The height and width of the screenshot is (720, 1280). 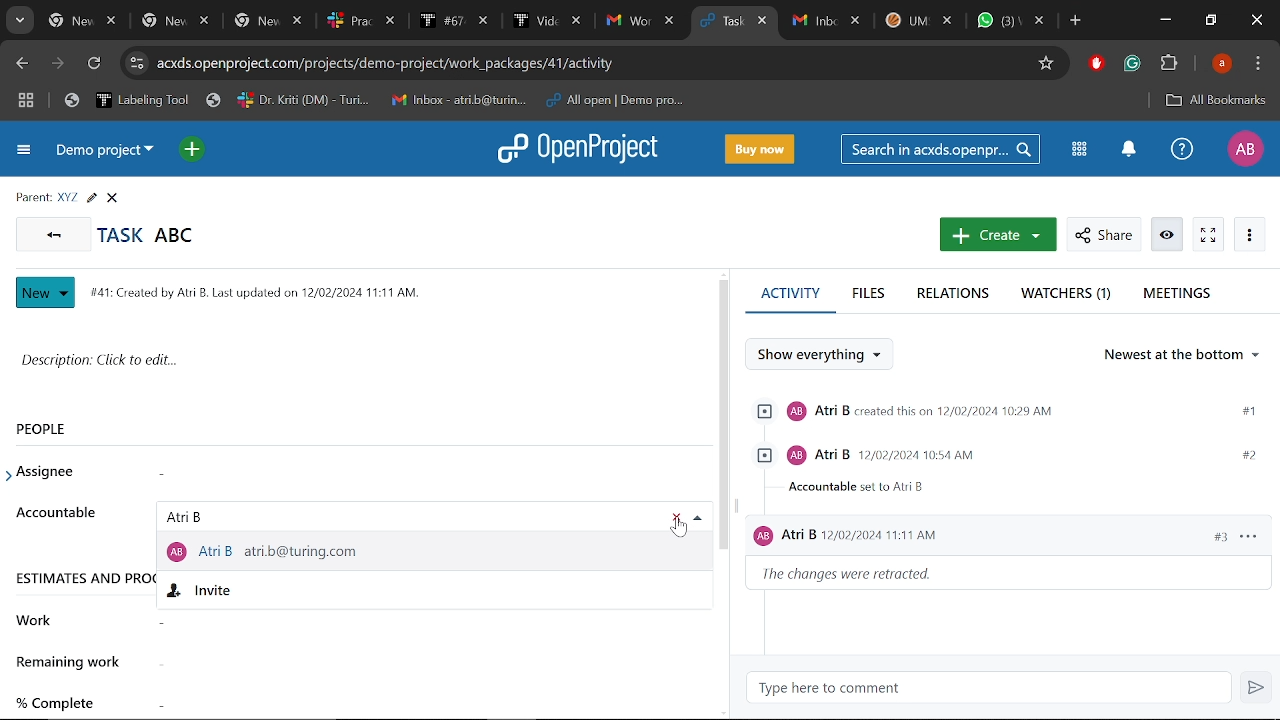 What do you see at coordinates (50, 472) in the screenshot?
I see `Assignee` at bounding box center [50, 472].